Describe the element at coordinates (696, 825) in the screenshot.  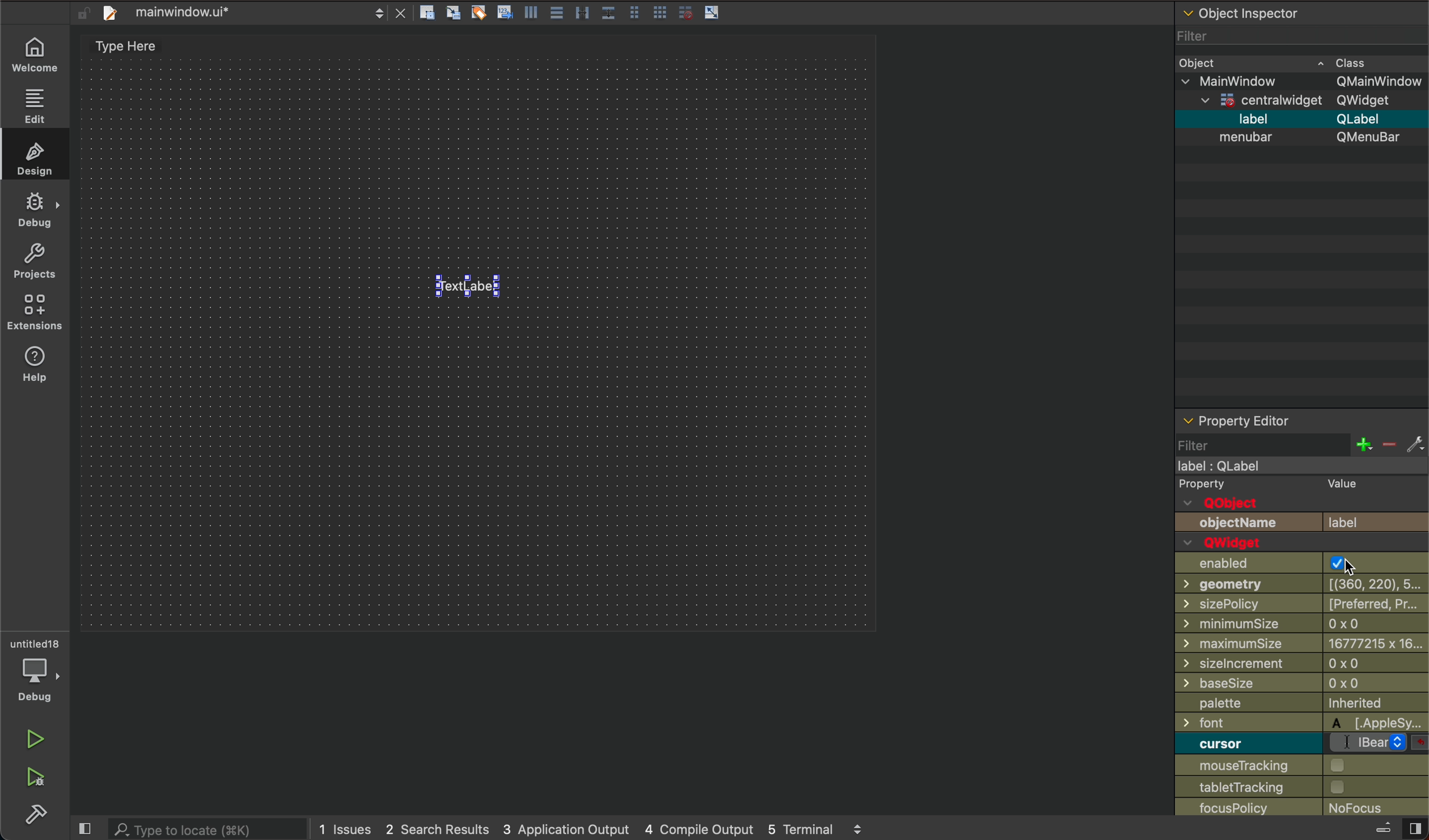
I see `4 compile output` at that location.